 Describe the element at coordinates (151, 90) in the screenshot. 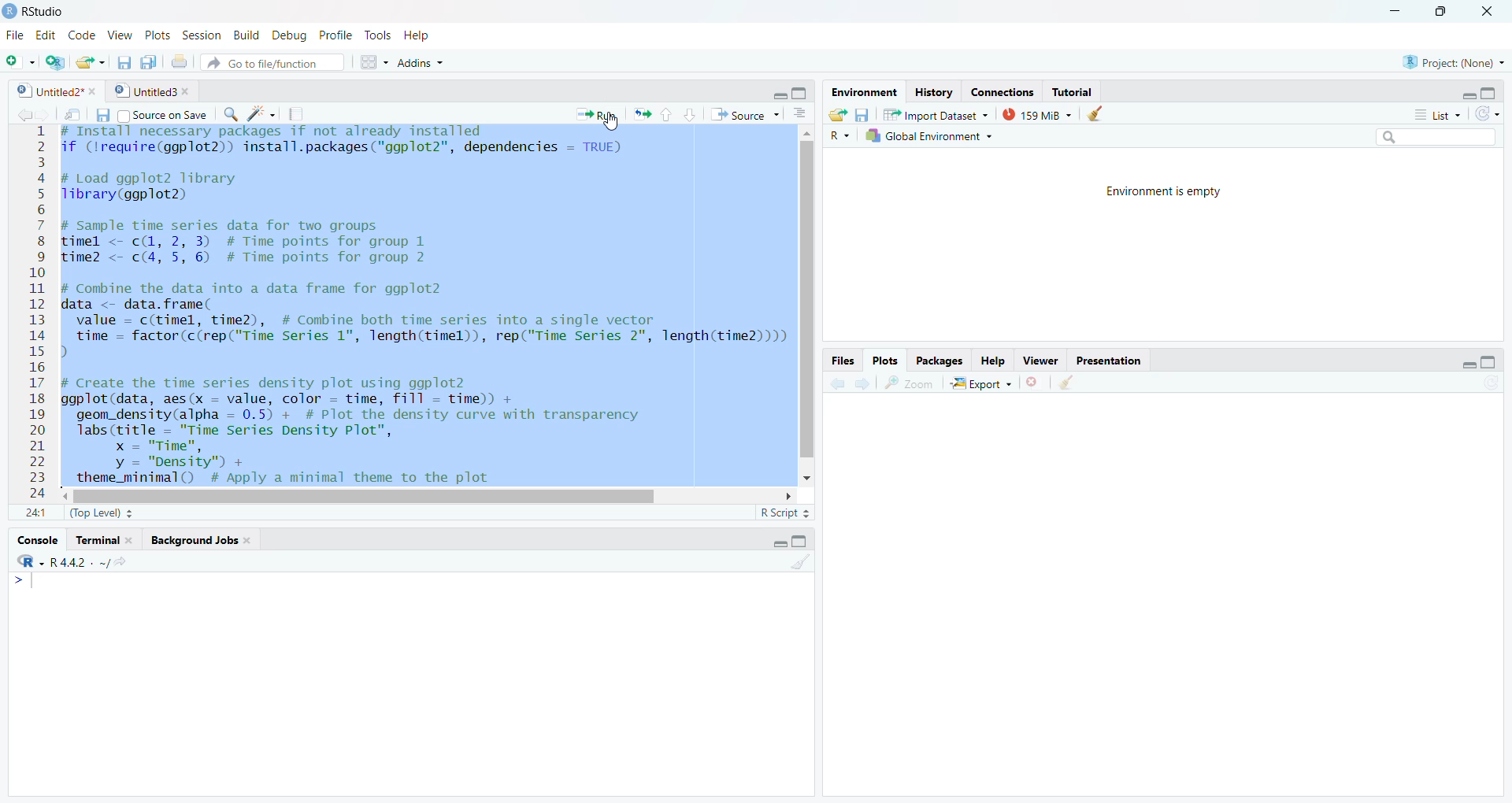

I see `Untitled3` at that location.